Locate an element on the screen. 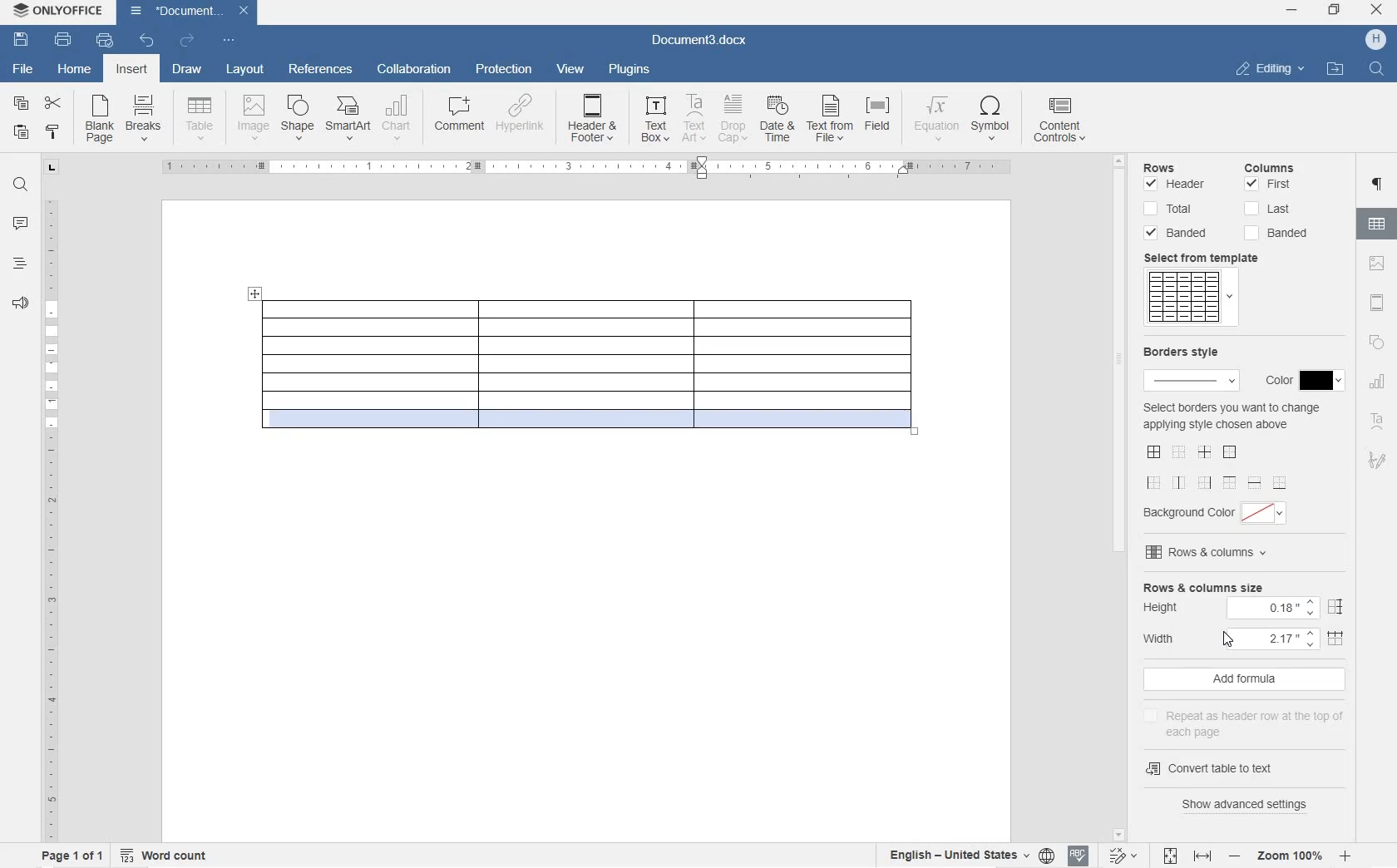 The image size is (1397, 868). CHART SETTINGS is located at coordinates (1377, 384).